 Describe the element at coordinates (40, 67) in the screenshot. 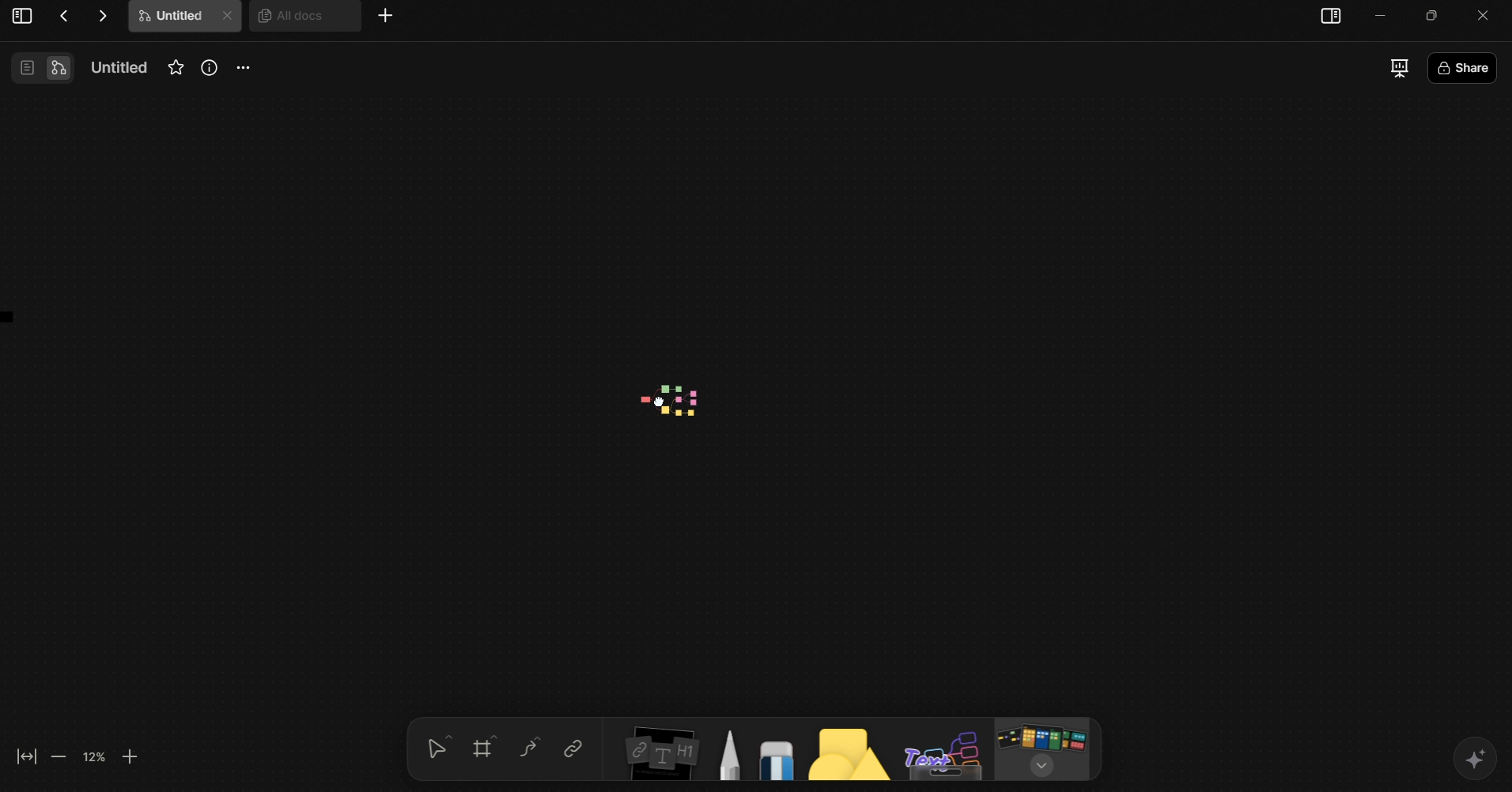

I see `View` at that location.